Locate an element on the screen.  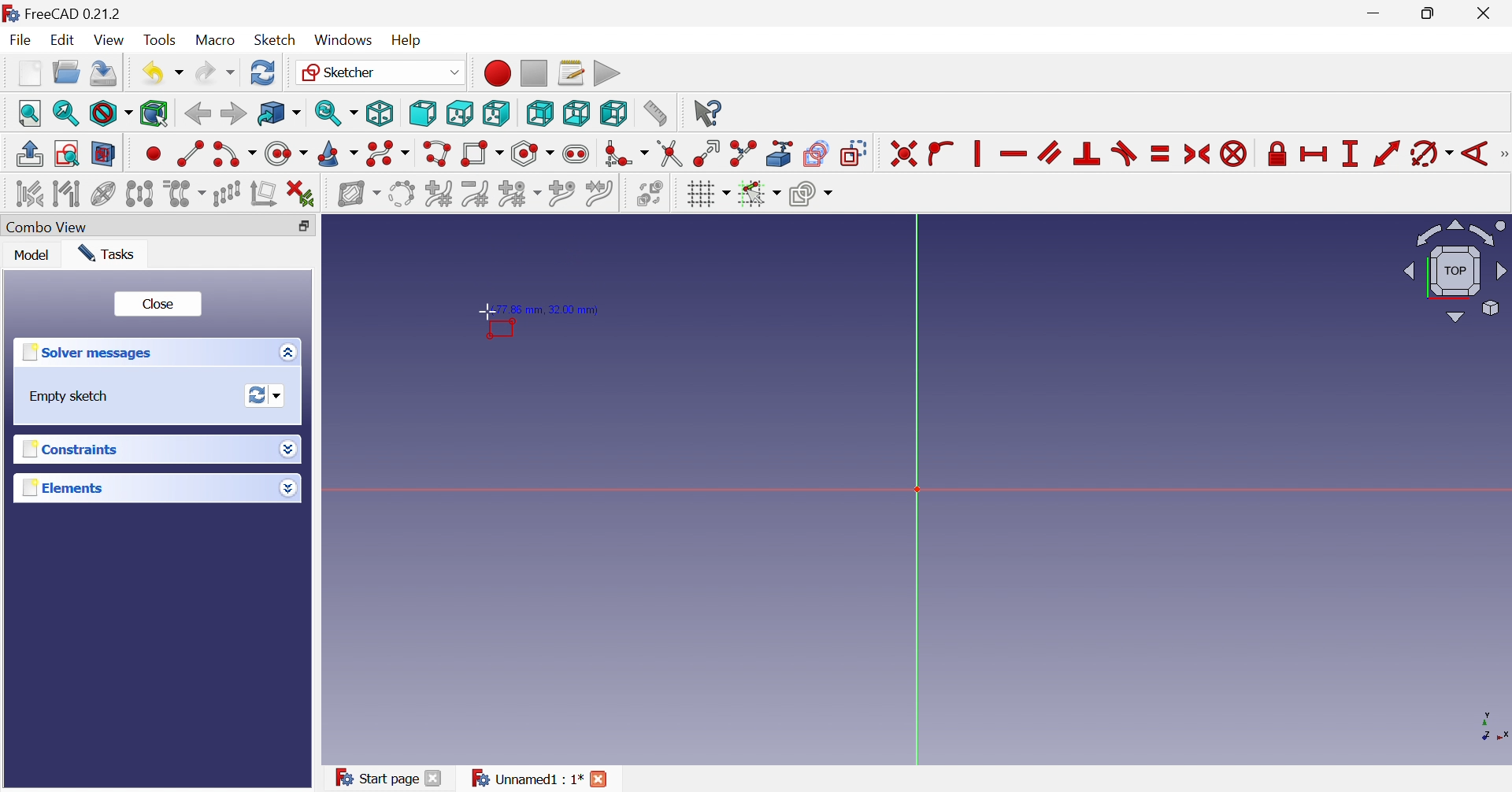
Select associated geometry is located at coordinates (69, 196).